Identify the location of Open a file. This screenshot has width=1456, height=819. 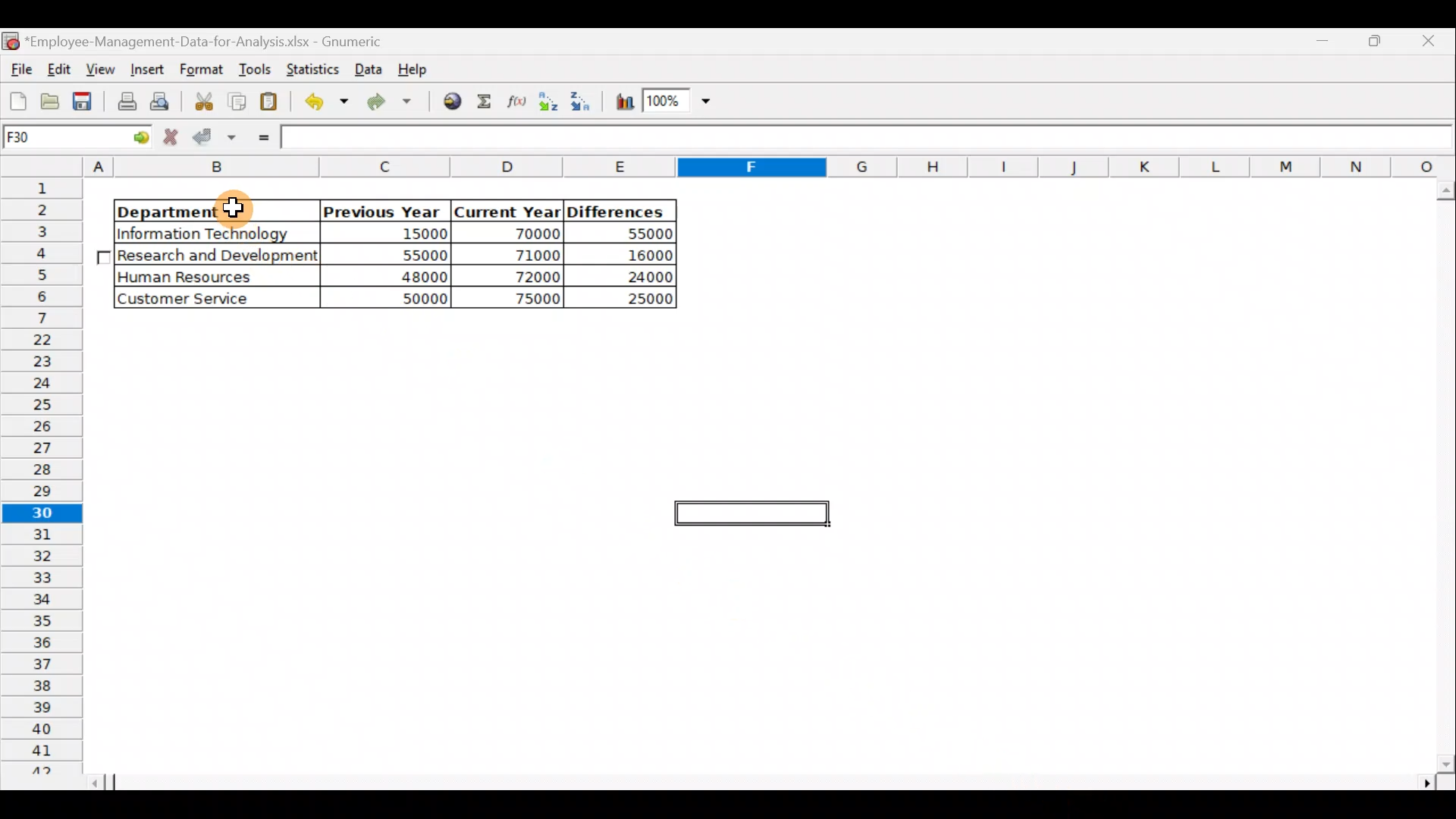
(49, 104).